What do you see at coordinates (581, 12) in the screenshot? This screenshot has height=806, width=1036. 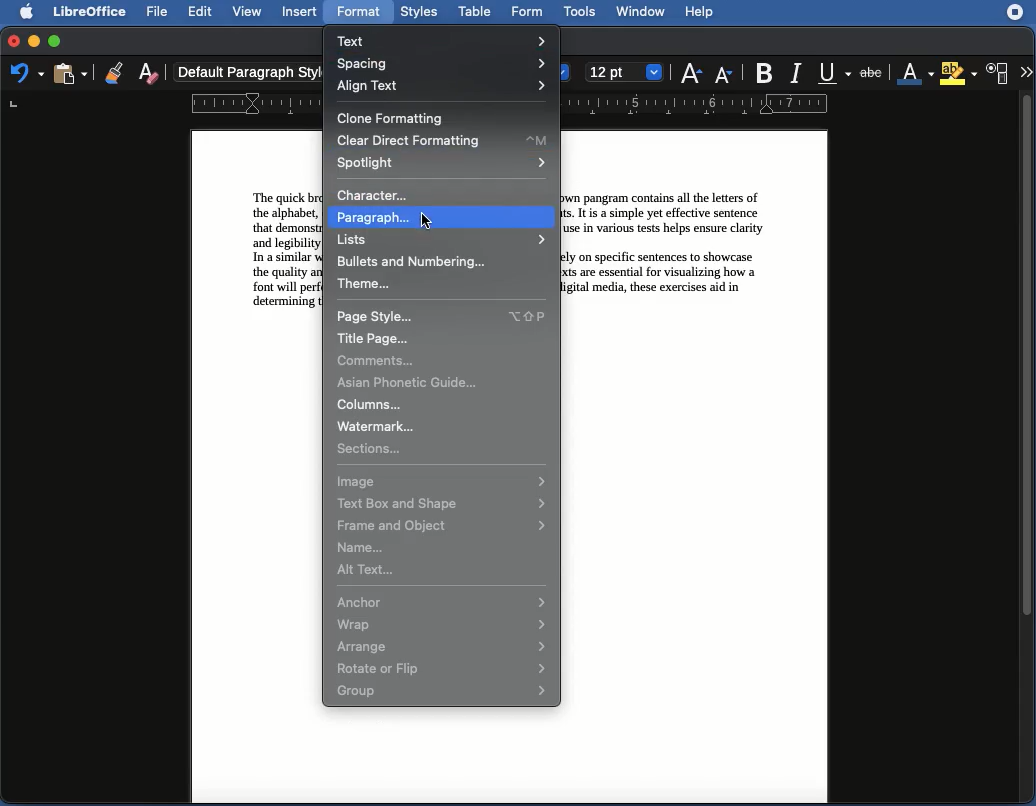 I see `Tools` at bounding box center [581, 12].